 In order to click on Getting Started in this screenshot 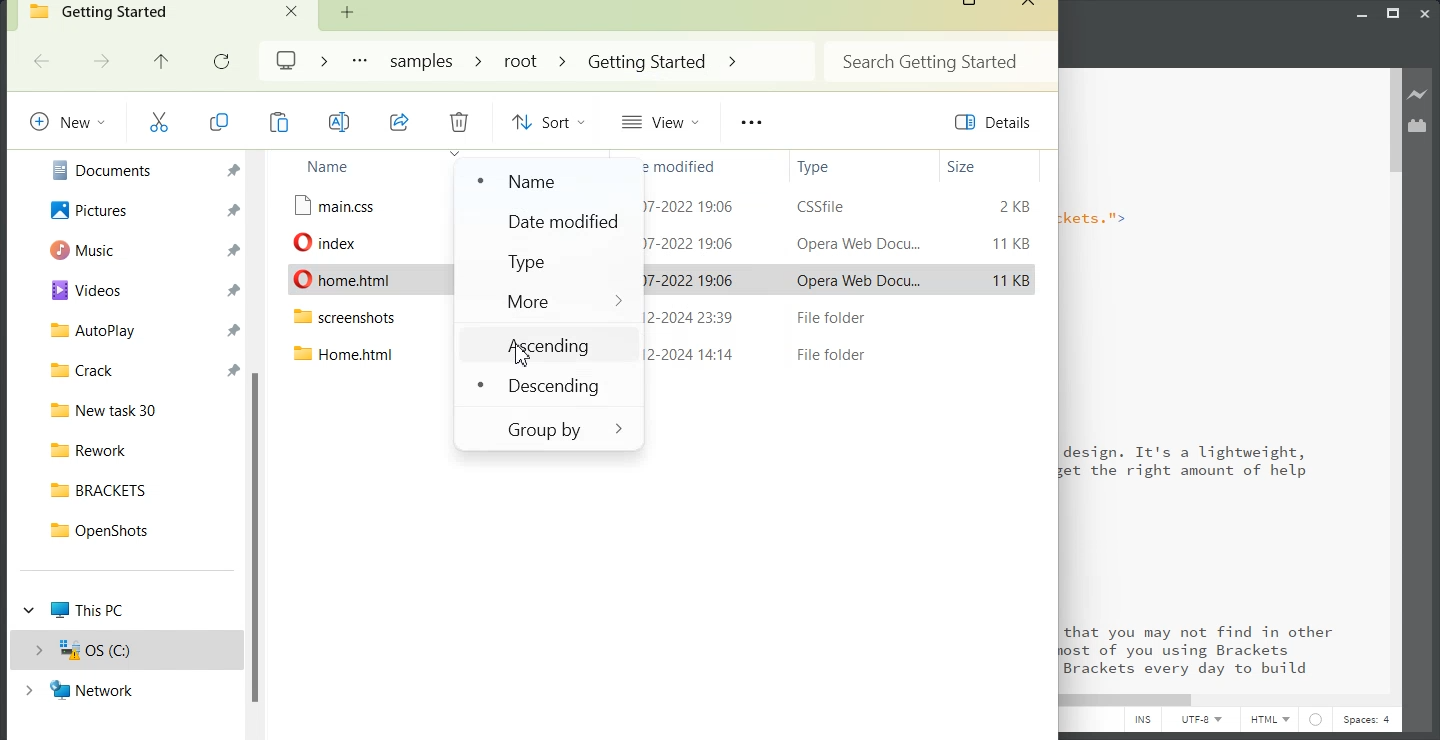, I will do `click(165, 15)`.